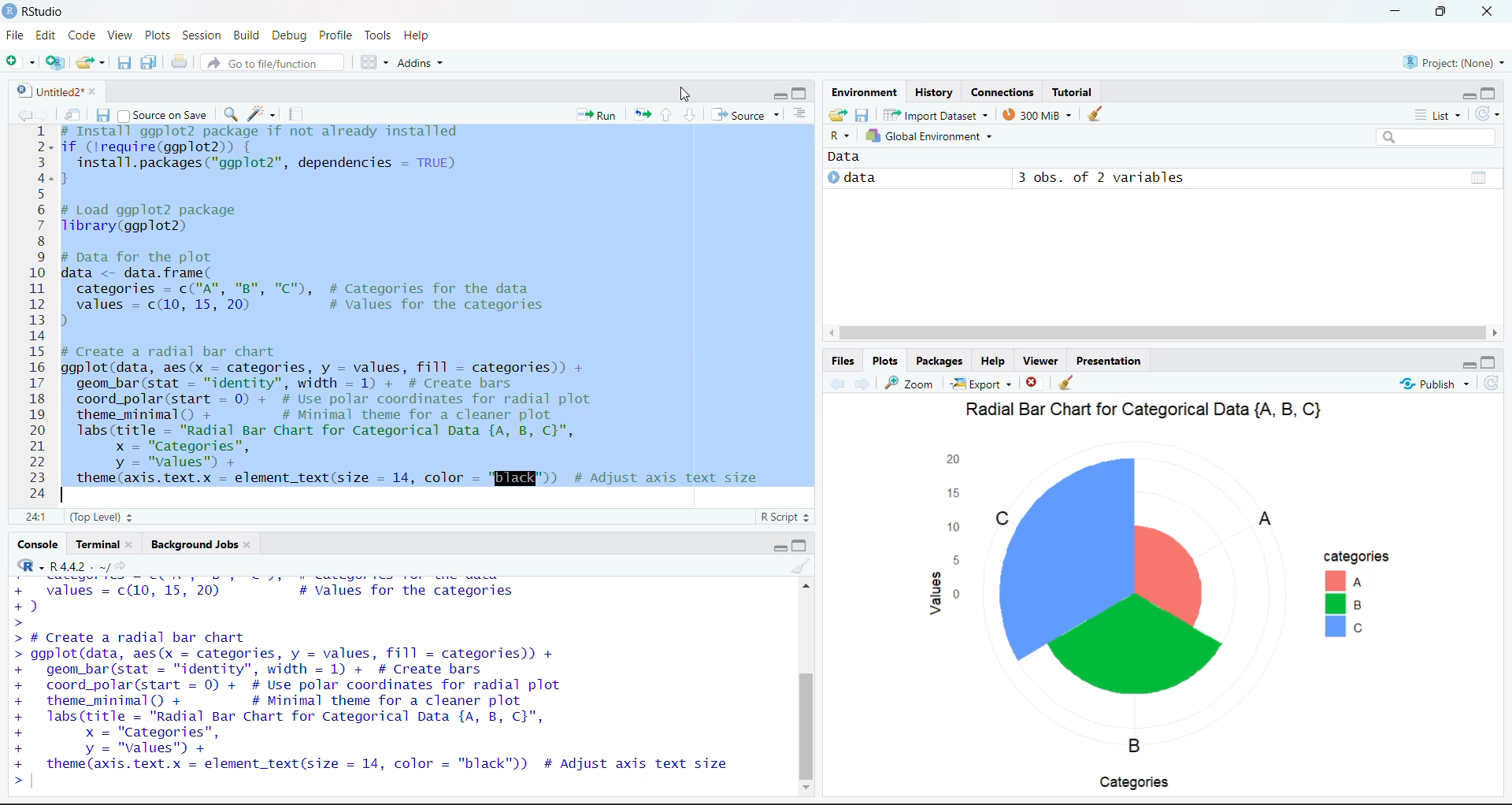  Describe the element at coordinates (419, 35) in the screenshot. I see `Help` at that location.